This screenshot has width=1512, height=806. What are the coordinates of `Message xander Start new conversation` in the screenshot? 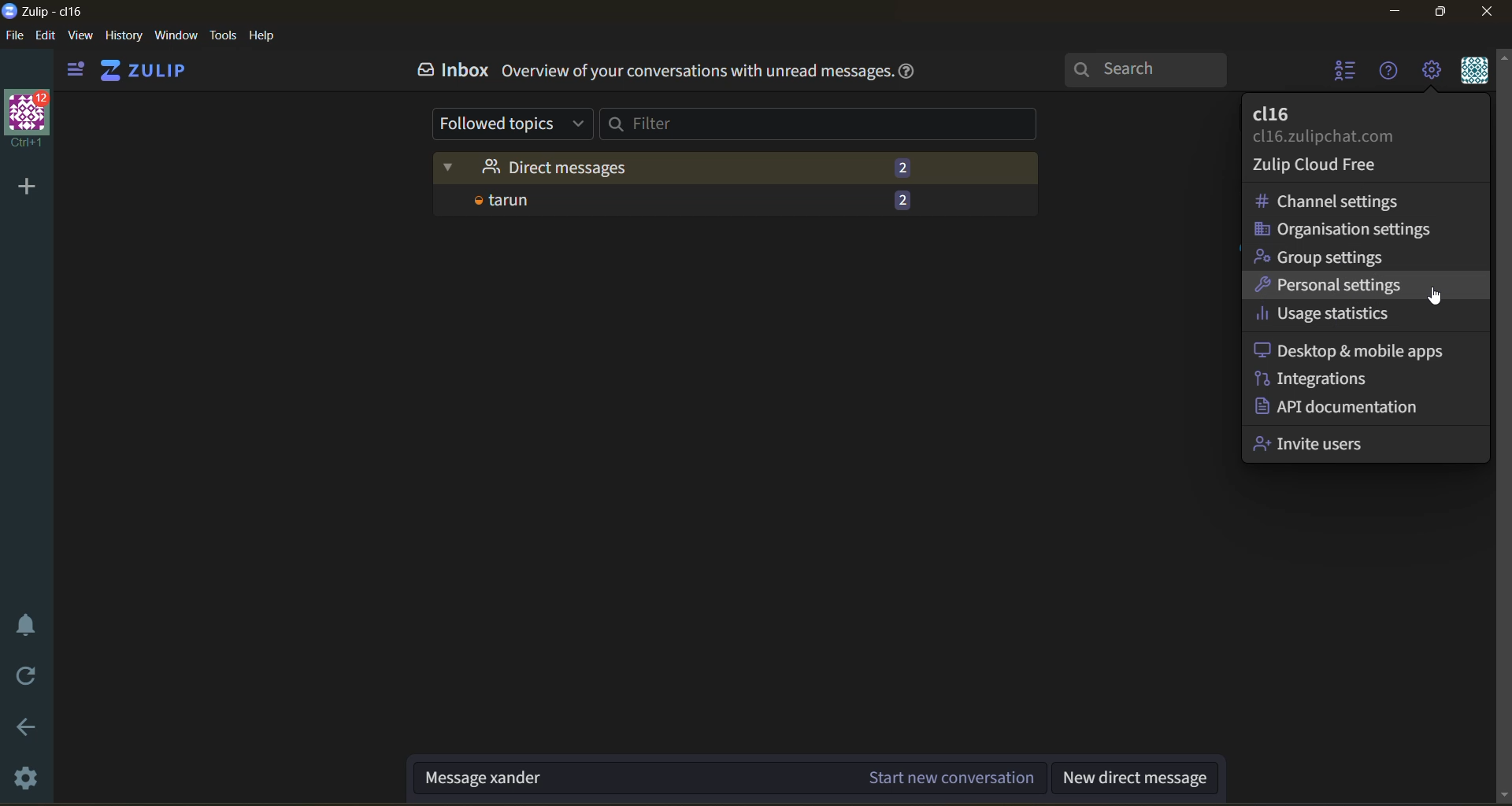 It's located at (730, 779).